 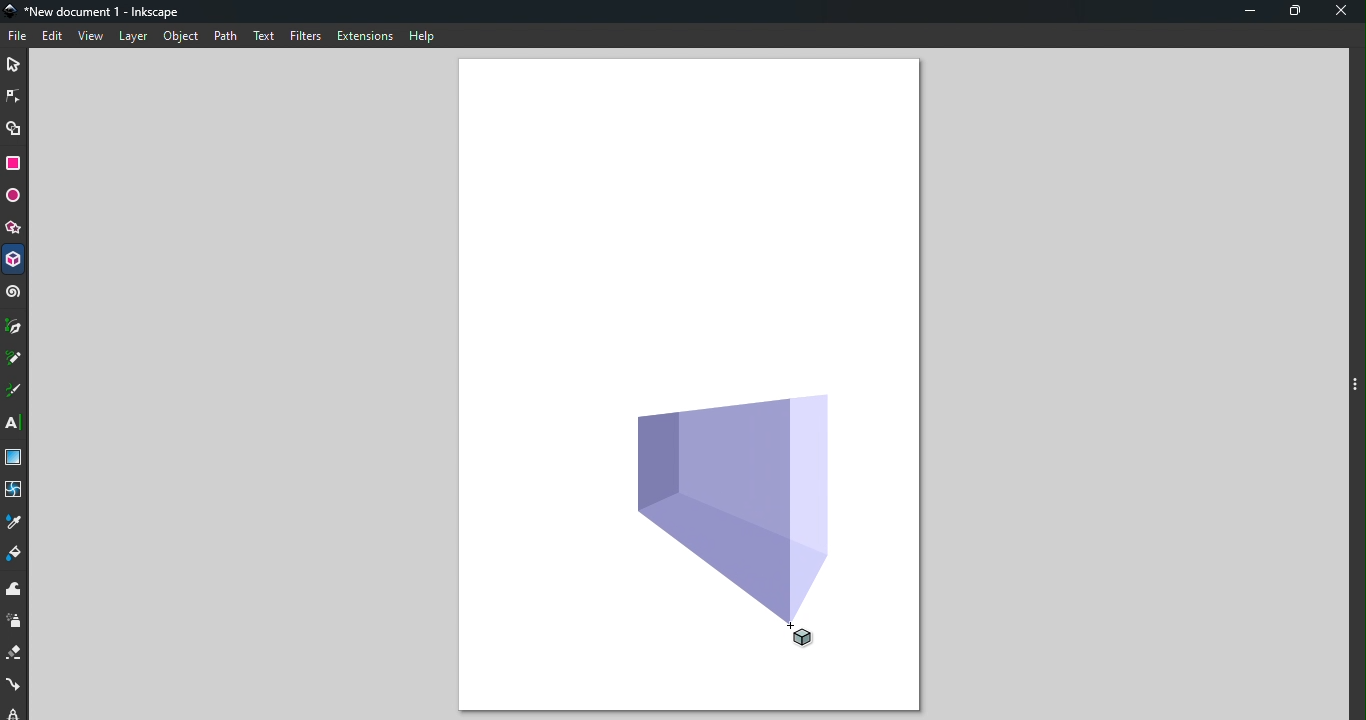 I want to click on Cursor, so click(x=816, y=636).